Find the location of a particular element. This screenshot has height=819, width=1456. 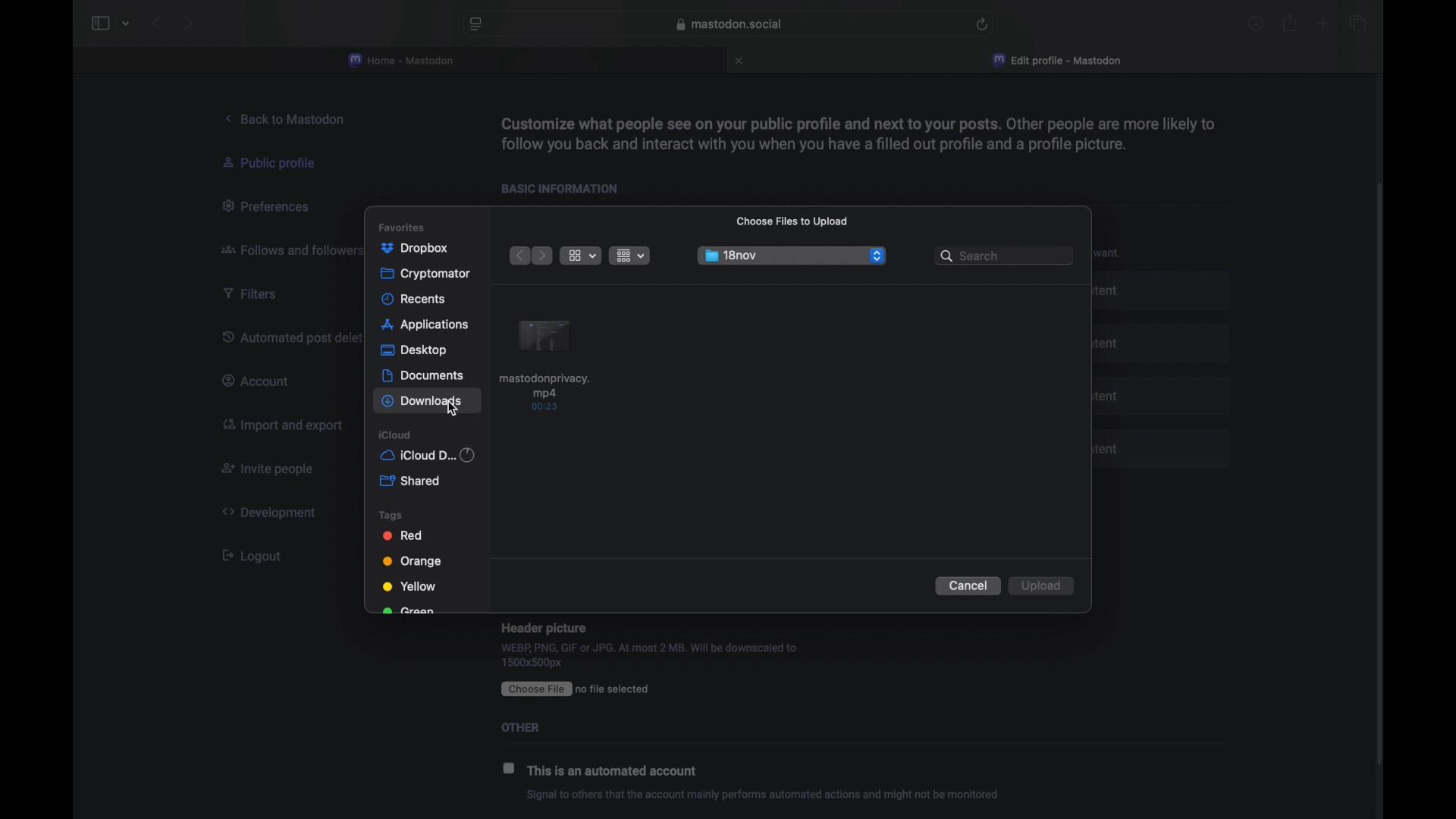

next is located at coordinates (188, 23).